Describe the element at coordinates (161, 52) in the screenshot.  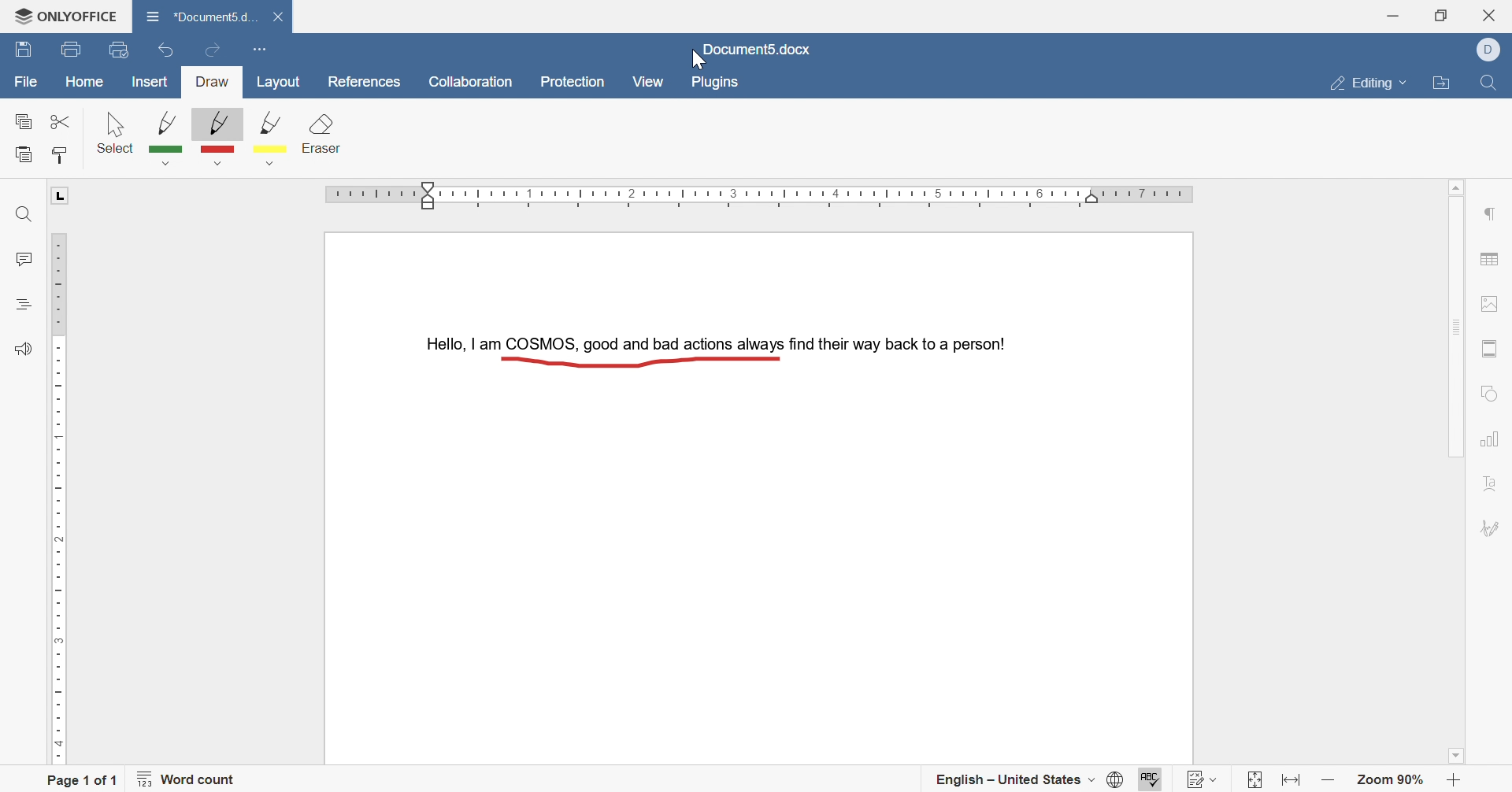
I see `undo` at that location.